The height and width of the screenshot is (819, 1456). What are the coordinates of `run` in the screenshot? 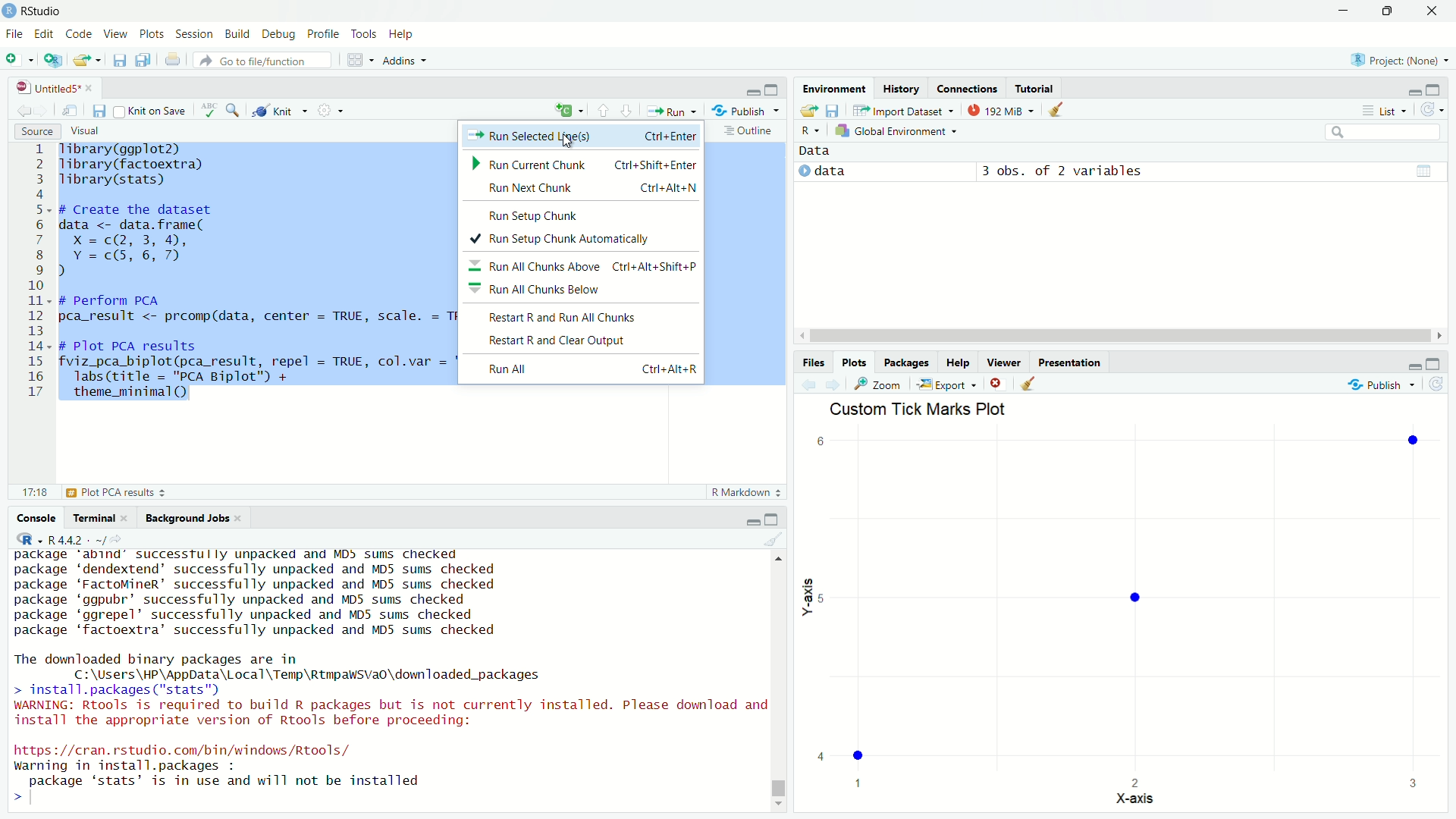 It's located at (670, 110).